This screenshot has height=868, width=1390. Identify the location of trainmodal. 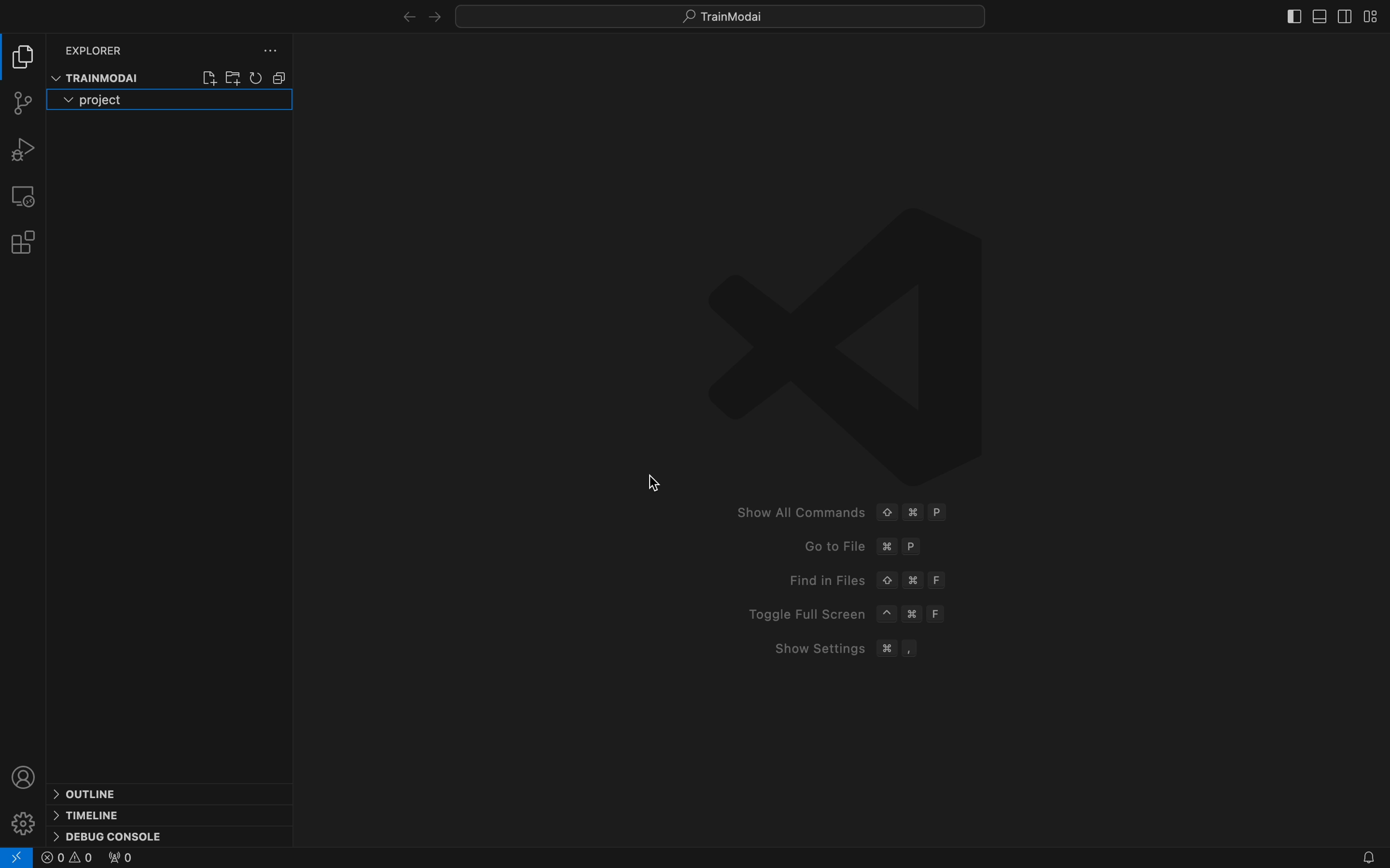
(95, 77).